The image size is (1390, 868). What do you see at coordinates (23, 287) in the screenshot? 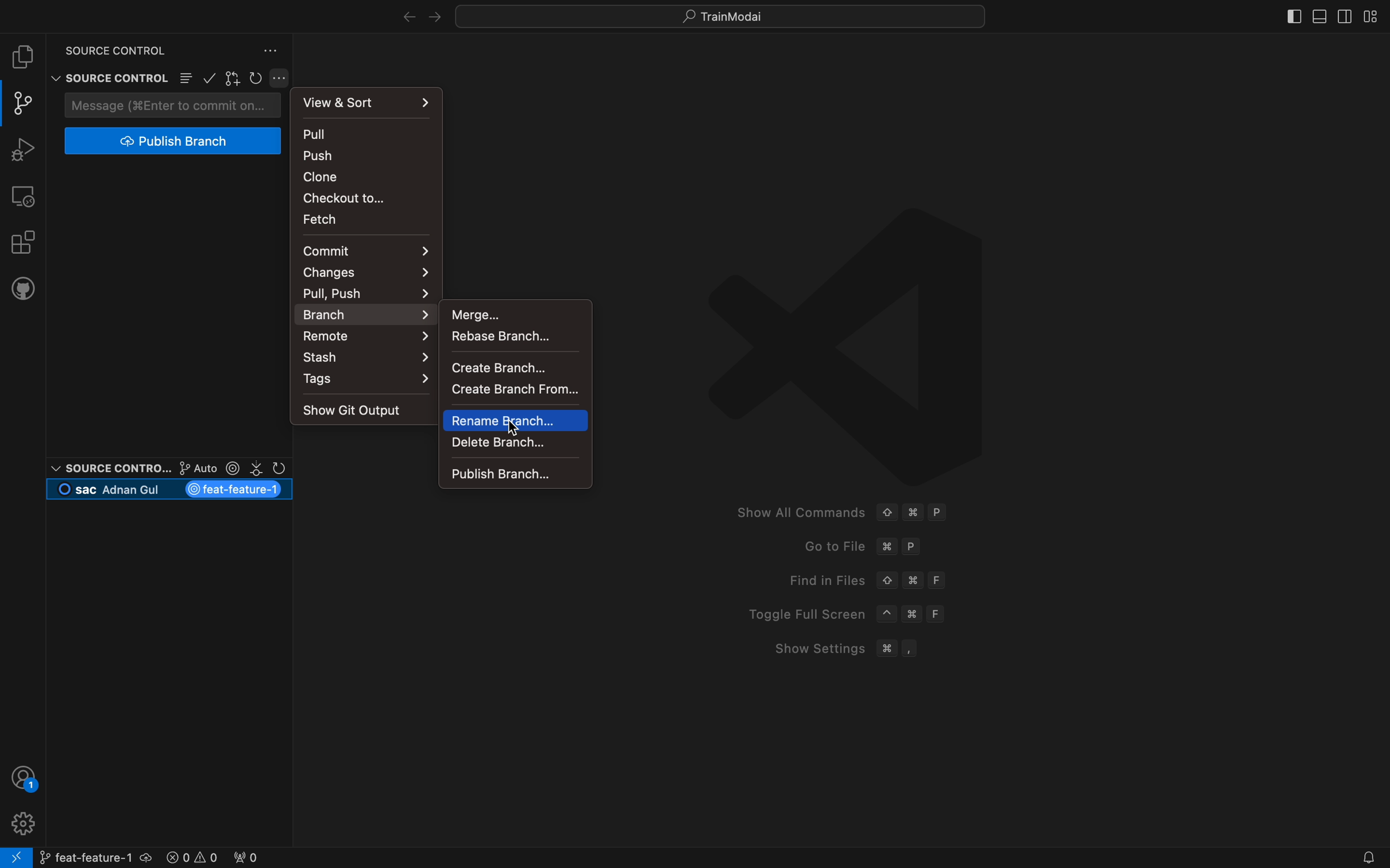
I see `github` at bounding box center [23, 287].